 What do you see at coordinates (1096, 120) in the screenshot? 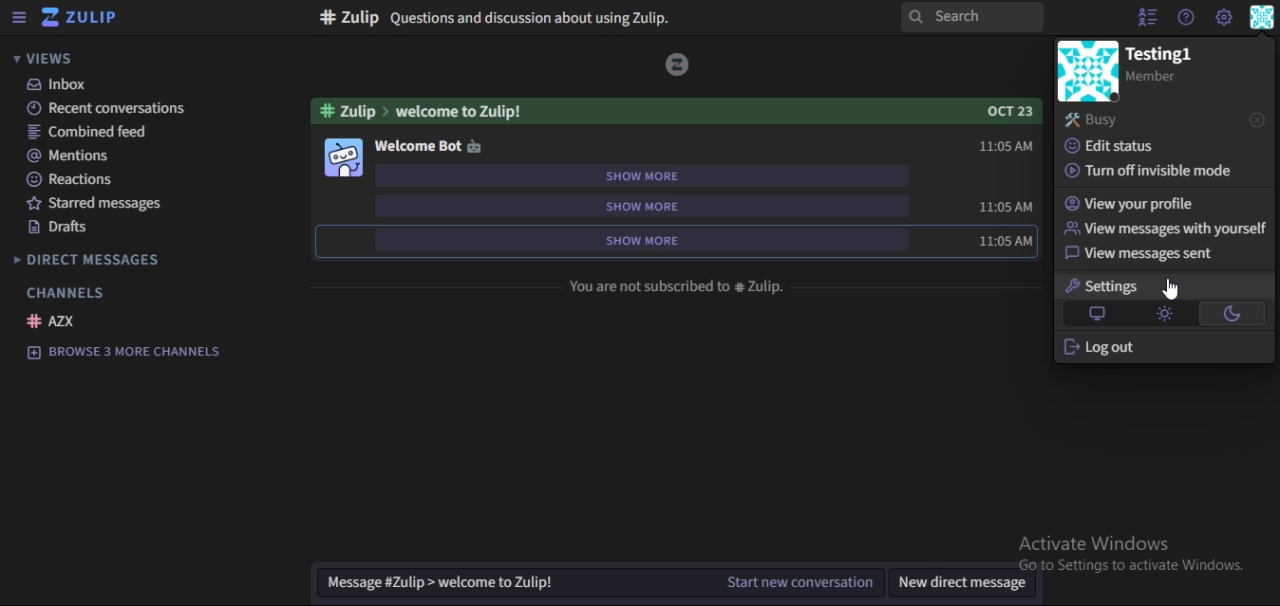
I see `busy` at bounding box center [1096, 120].